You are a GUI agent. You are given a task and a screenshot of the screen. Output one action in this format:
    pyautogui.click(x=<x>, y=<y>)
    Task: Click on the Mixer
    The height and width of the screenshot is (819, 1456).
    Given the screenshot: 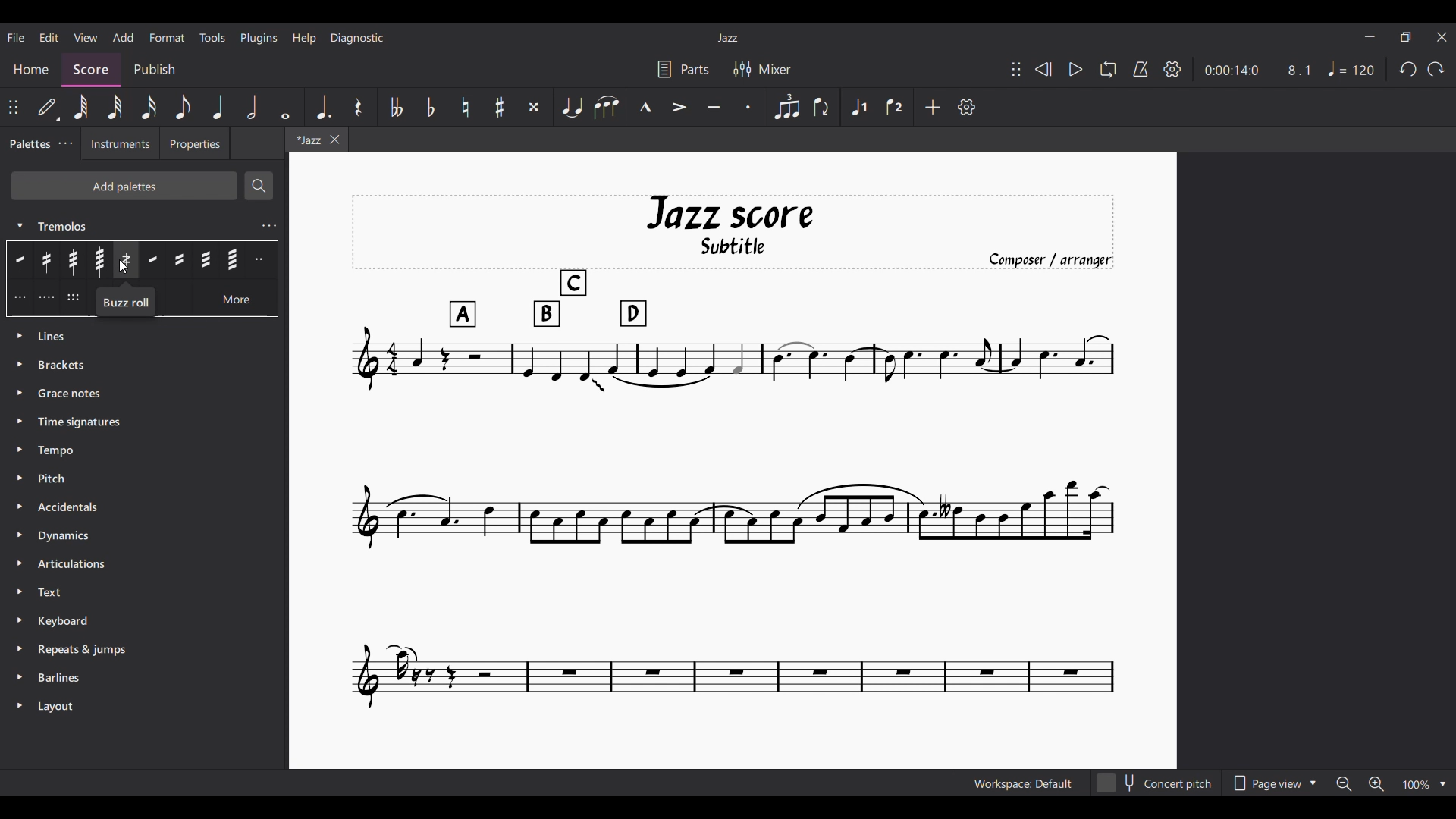 What is the action you would take?
    pyautogui.click(x=762, y=69)
    